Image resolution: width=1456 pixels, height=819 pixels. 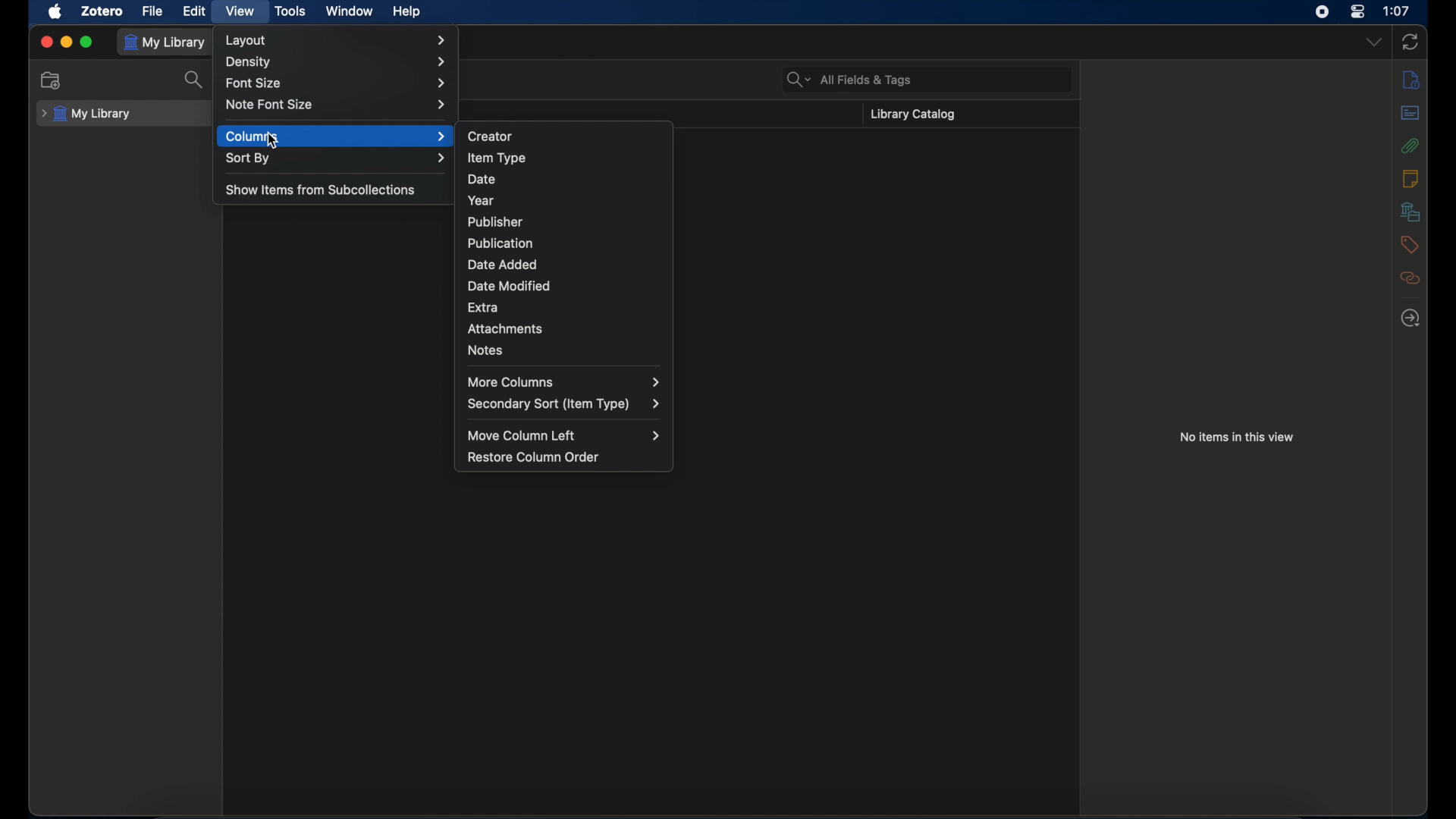 I want to click on help, so click(x=408, y=12).